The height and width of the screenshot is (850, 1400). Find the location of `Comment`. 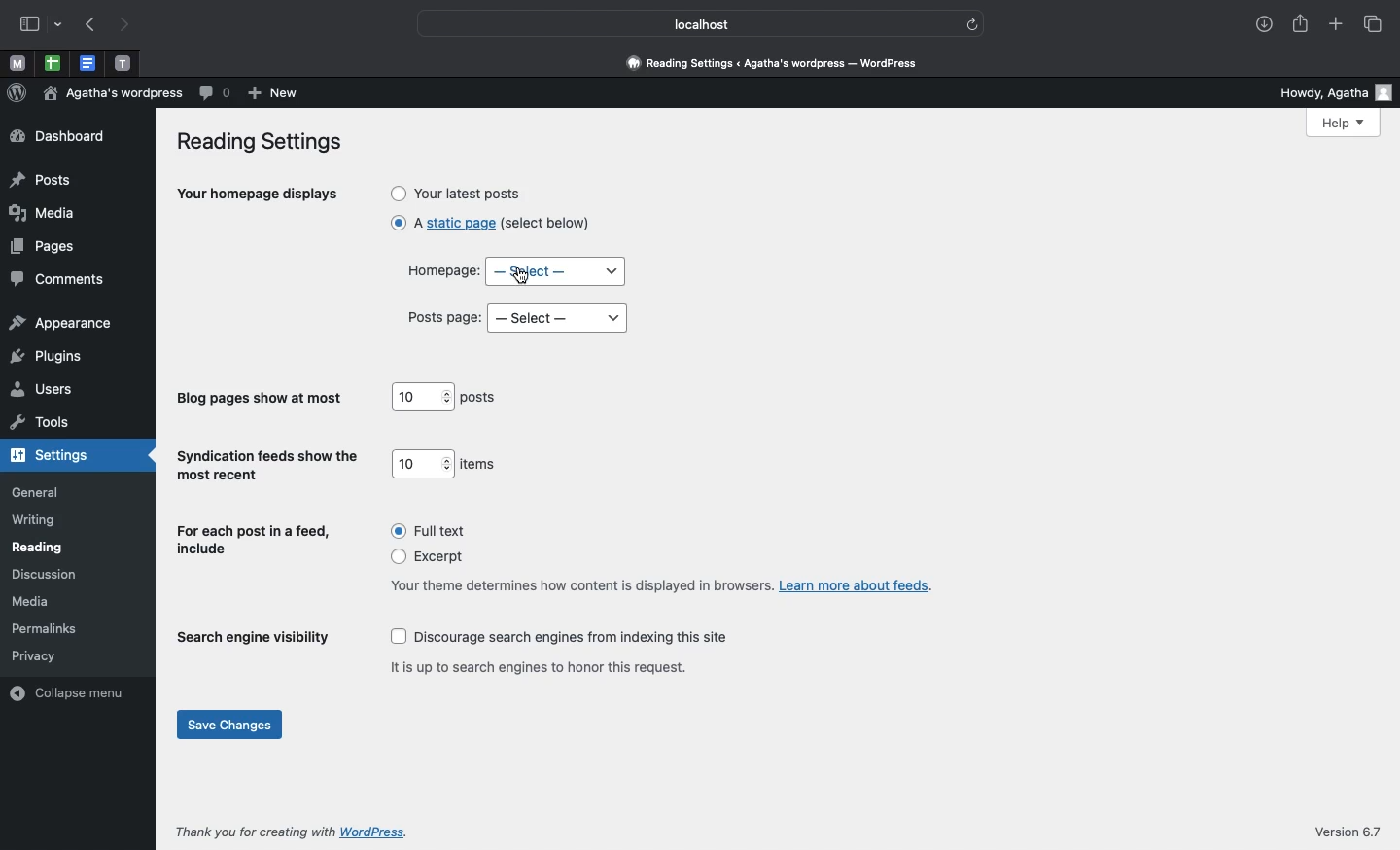

Comment is located at coordinates (216, 93).